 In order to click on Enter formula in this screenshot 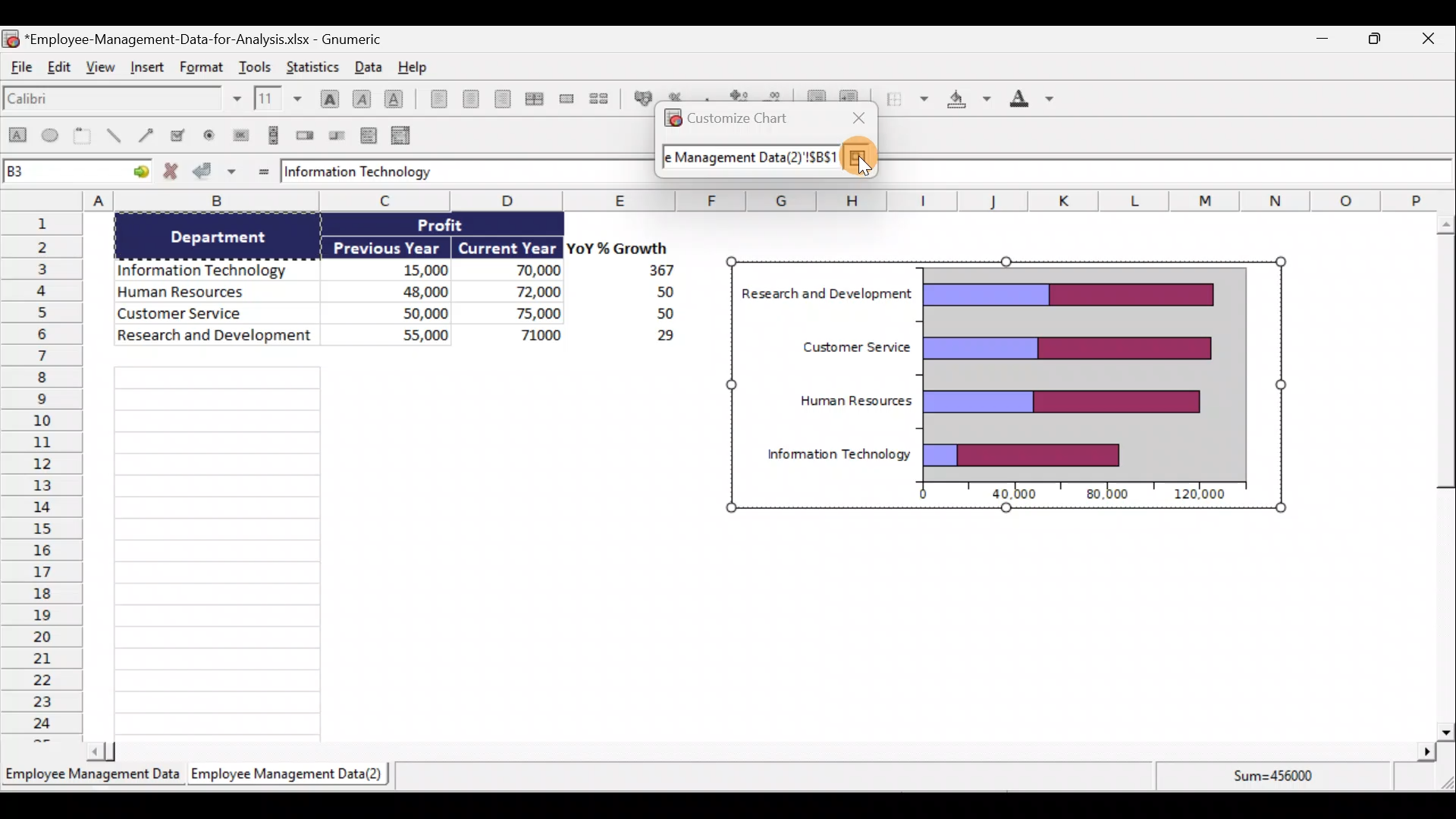, I will do `click(260, 171)`.